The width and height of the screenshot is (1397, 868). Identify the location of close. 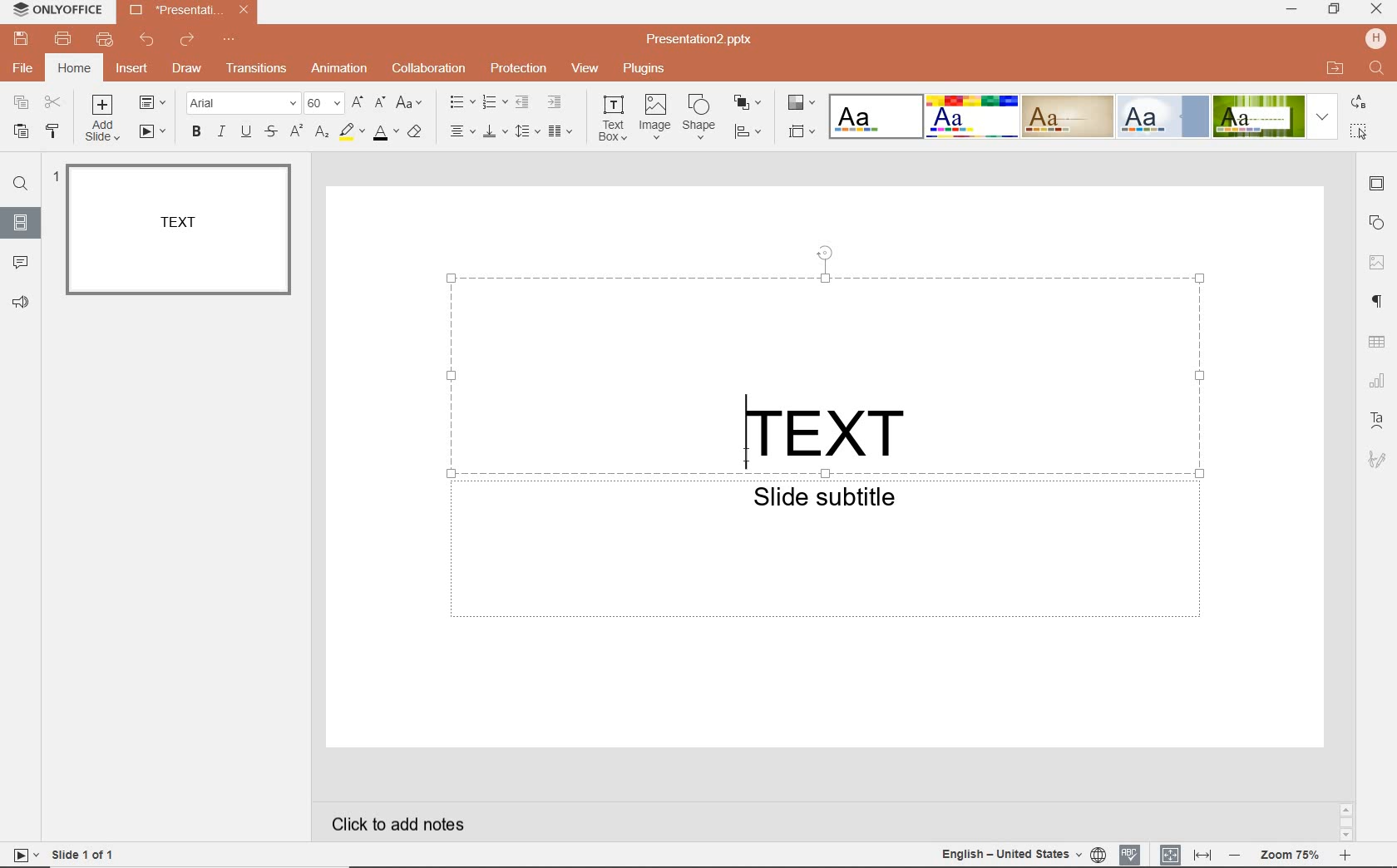
(243, 11).